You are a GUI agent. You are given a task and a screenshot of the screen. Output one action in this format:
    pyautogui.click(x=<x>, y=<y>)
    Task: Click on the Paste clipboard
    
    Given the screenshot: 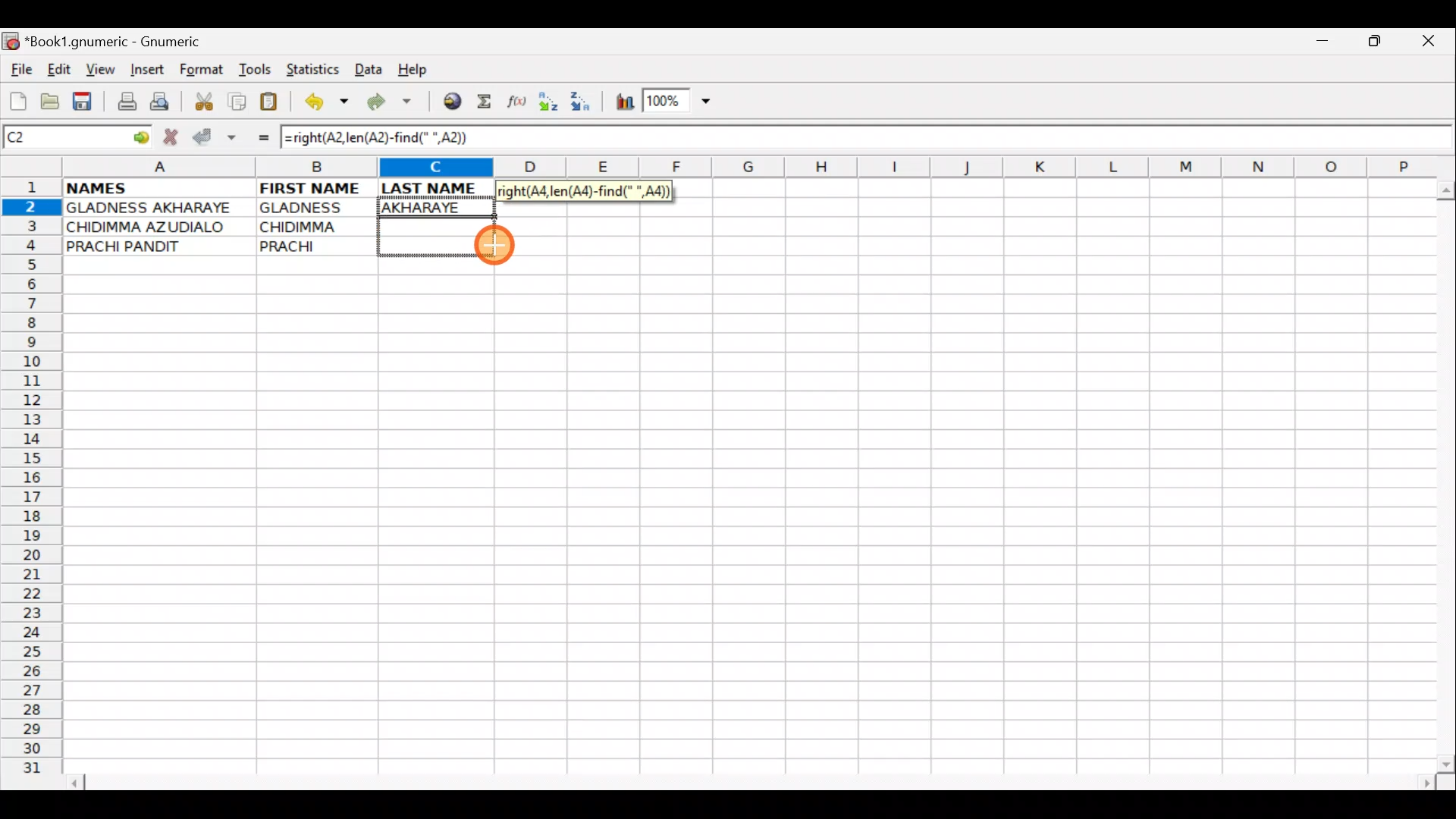 What is the action you would take?
    pyautogui.click(x=274, y=104)
    